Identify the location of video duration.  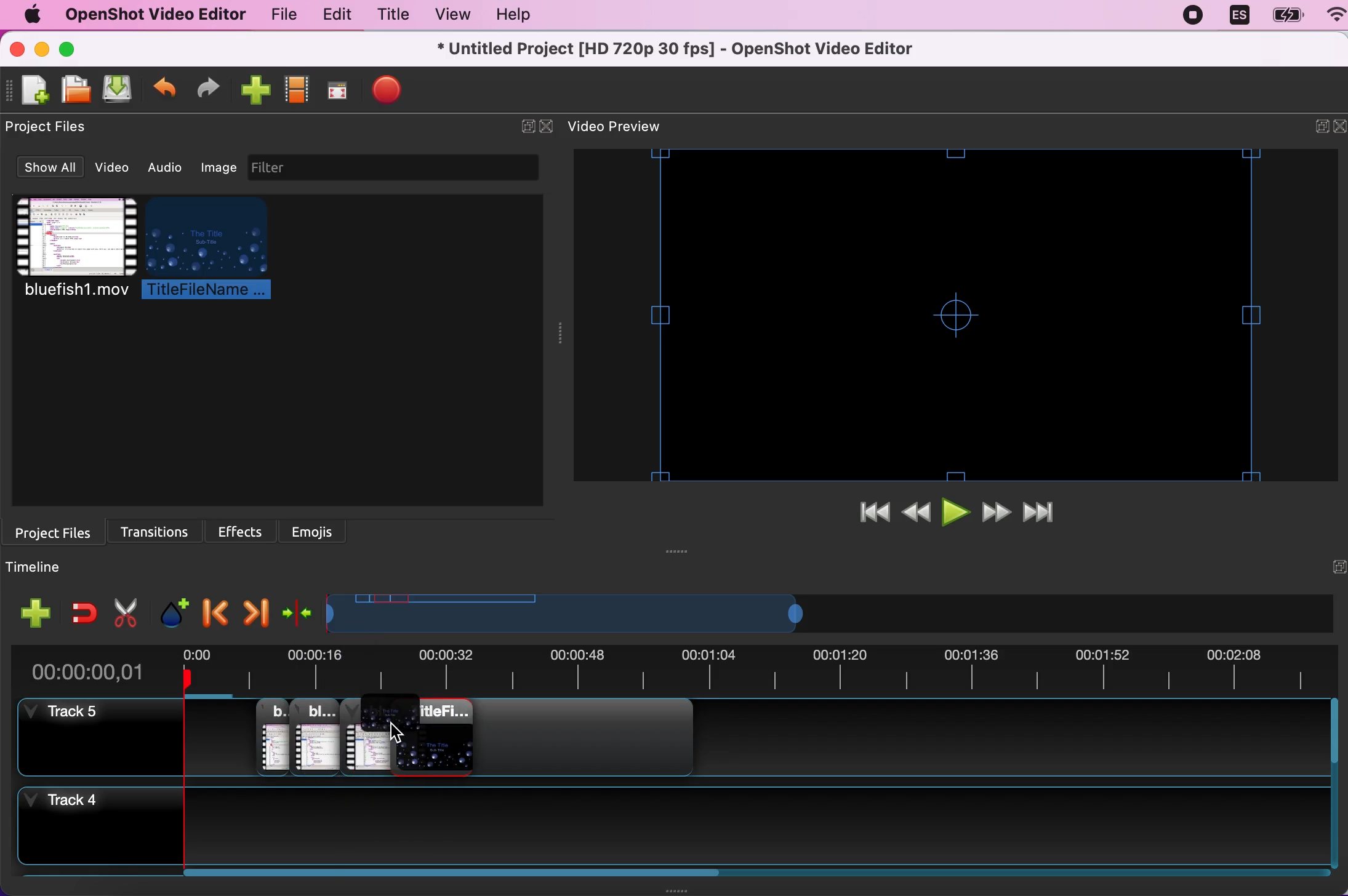
(656, 614).